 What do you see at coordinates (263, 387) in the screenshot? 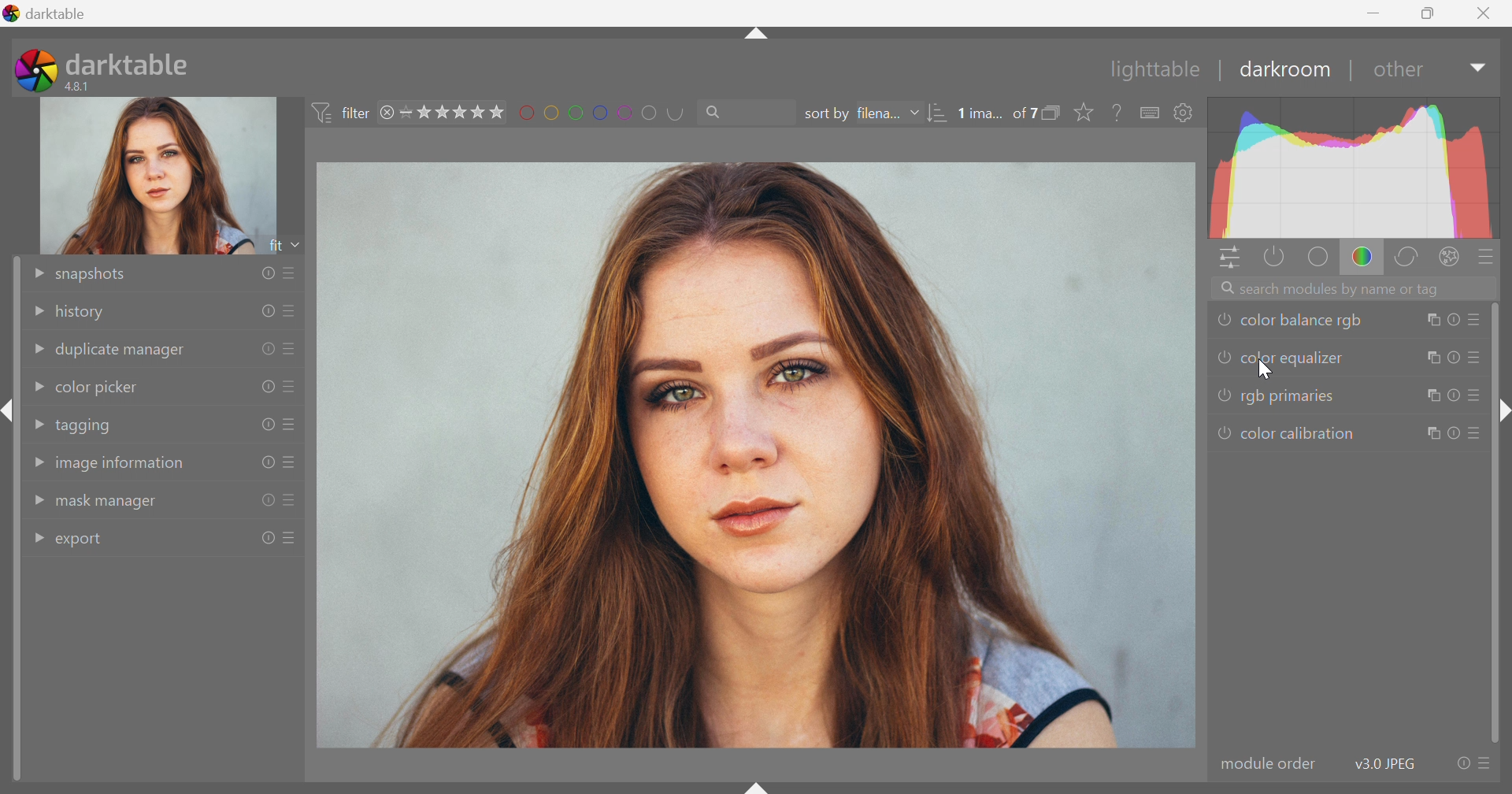
I see `reset` at bounding box center [263, 387].